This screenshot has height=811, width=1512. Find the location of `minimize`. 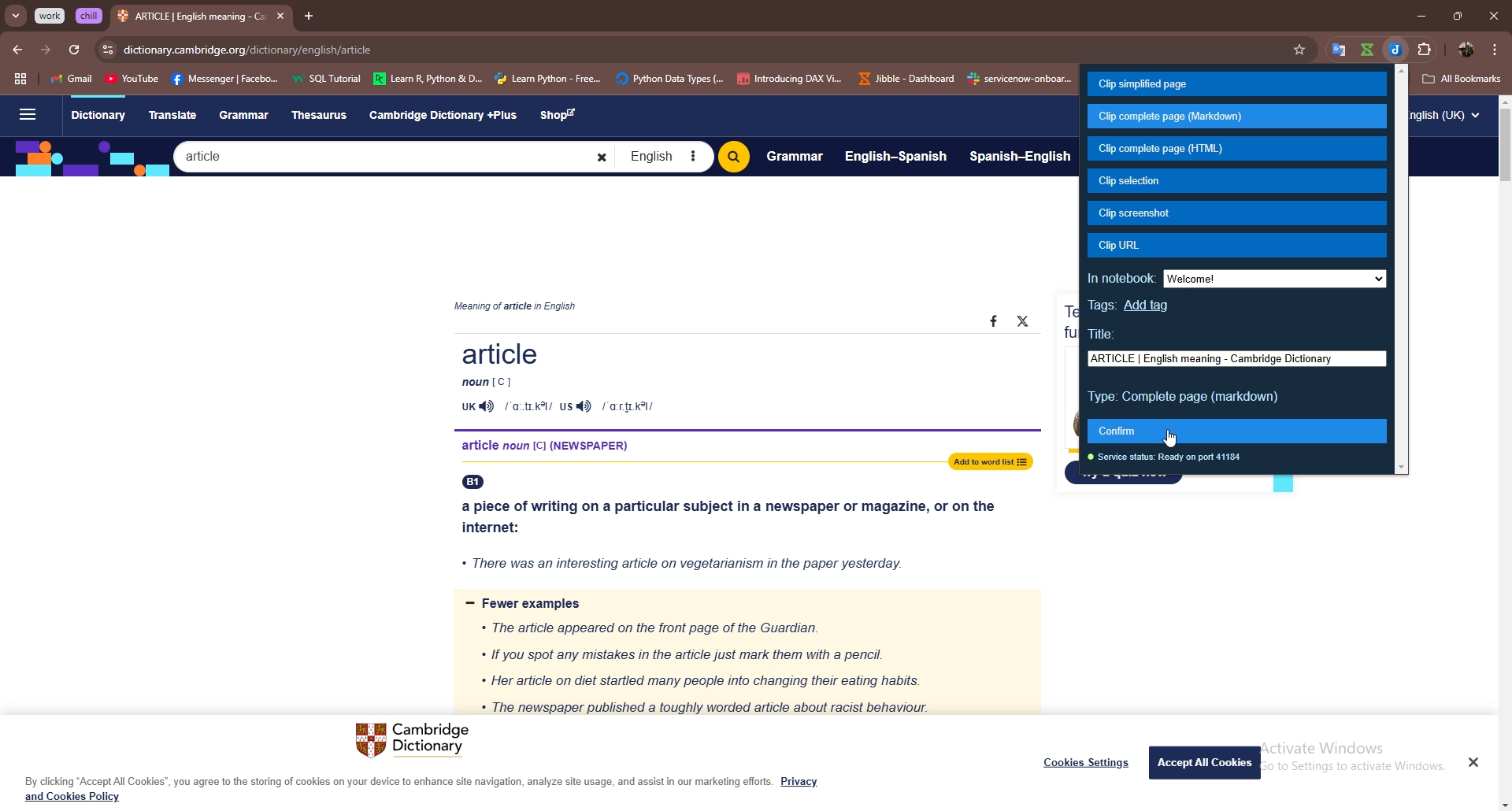

minimize is located at coordinates (1421, 15).